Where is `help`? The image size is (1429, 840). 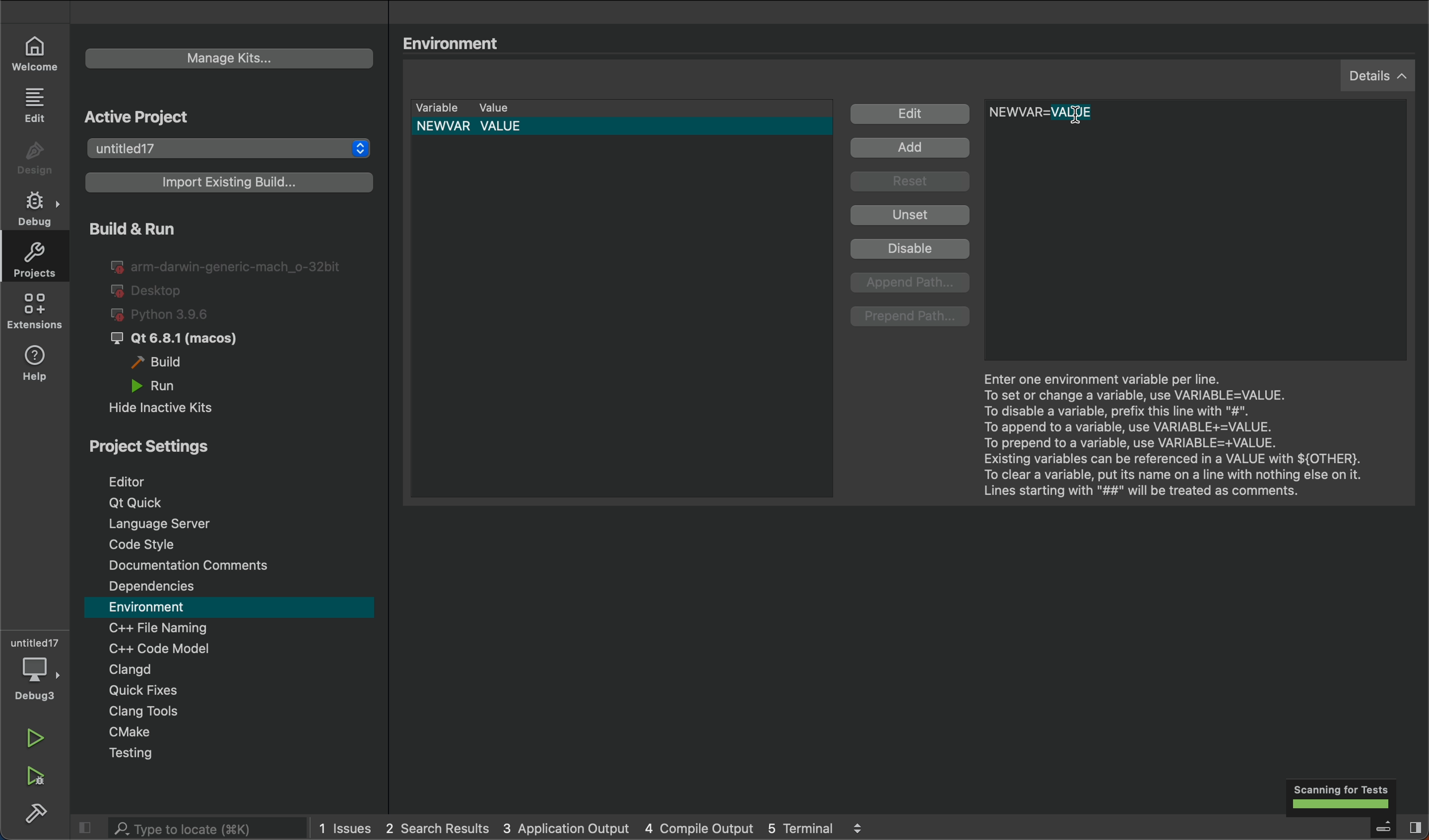
help is located at coordinates (36, 366).